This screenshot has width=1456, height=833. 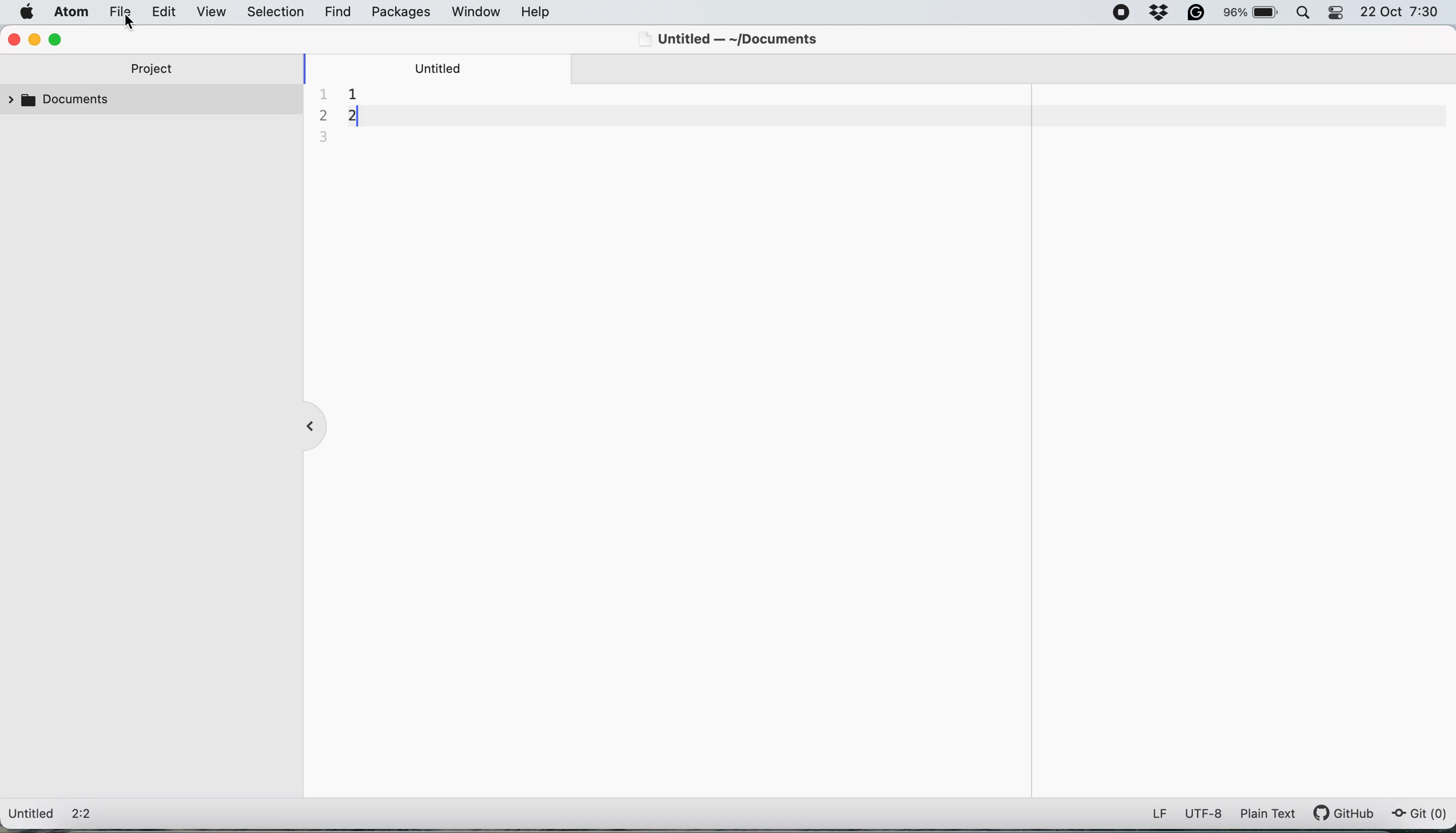 What do you see at coordinates (339, 13) in the screenshot?
I see `find` at bounding box center [339, 13].